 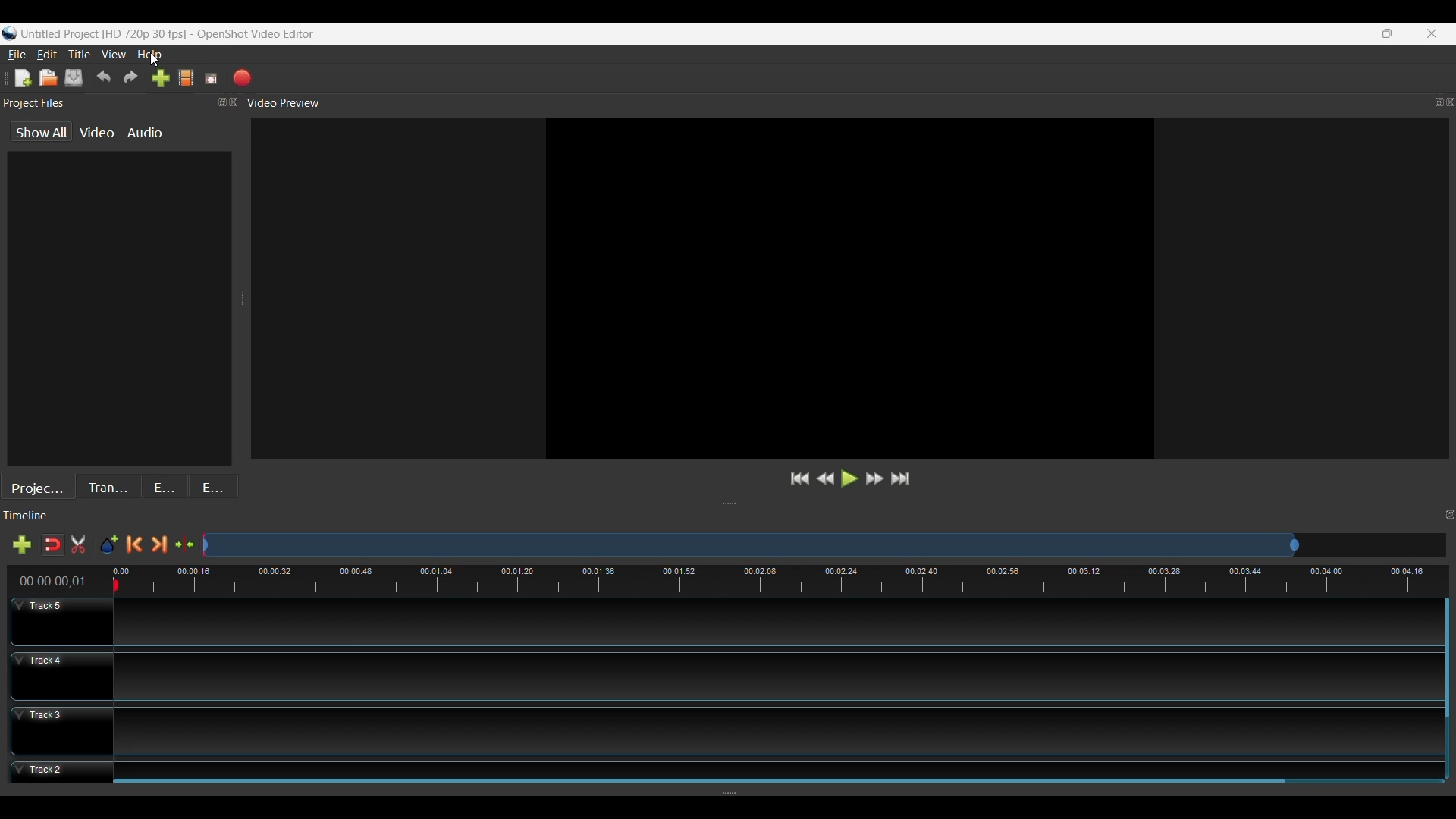 What do you see at coordinates (1432, 34) in the screenshot?
I see `Close` at bounding box center [1432, 34].